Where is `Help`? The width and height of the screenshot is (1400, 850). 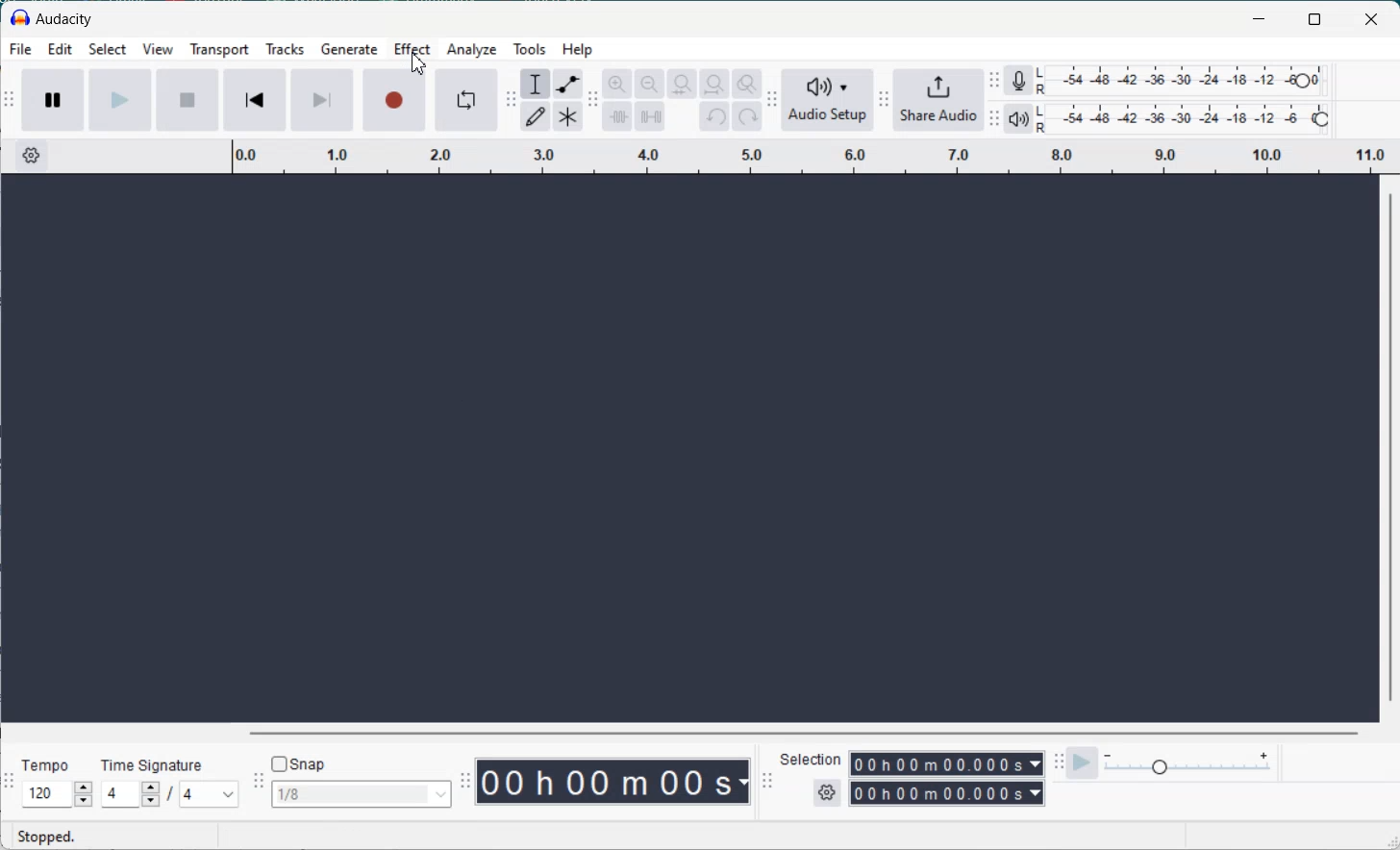 Help is located at coordinates (578, 49).